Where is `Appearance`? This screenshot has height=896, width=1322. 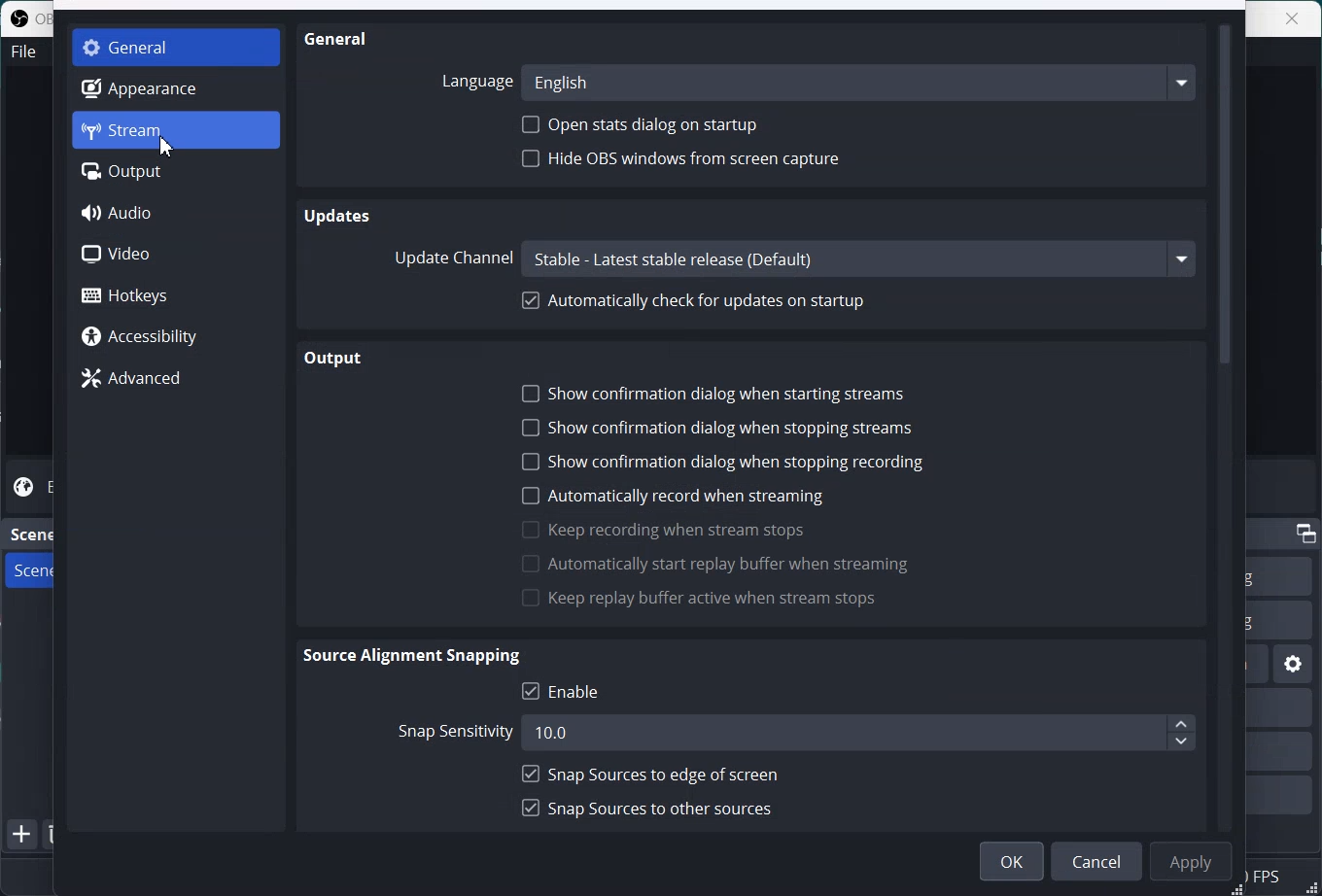
Appearance is located at coordinates (175, 87).